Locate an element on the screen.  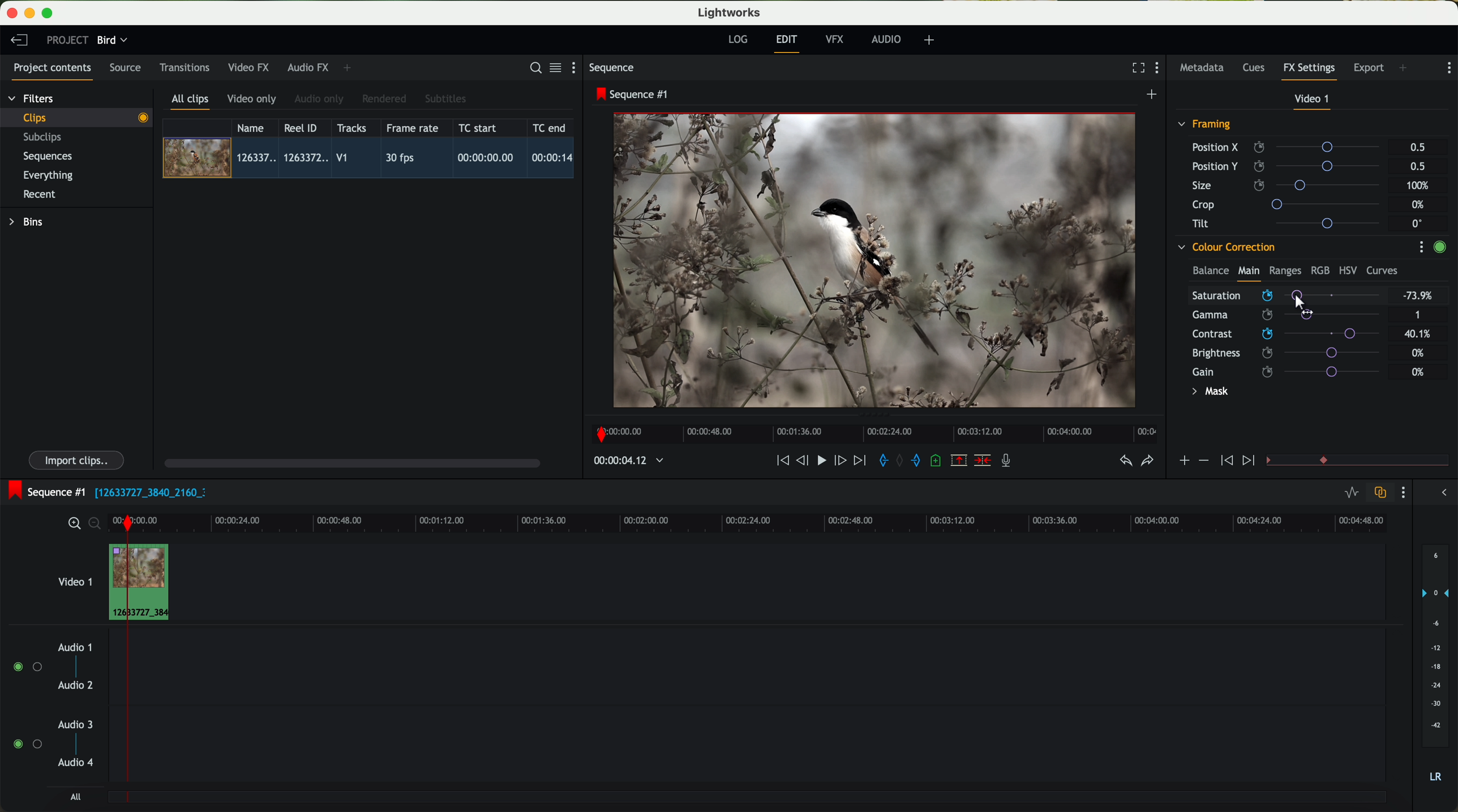
toggle audio levels editing is located at coordinates (1351, 494).